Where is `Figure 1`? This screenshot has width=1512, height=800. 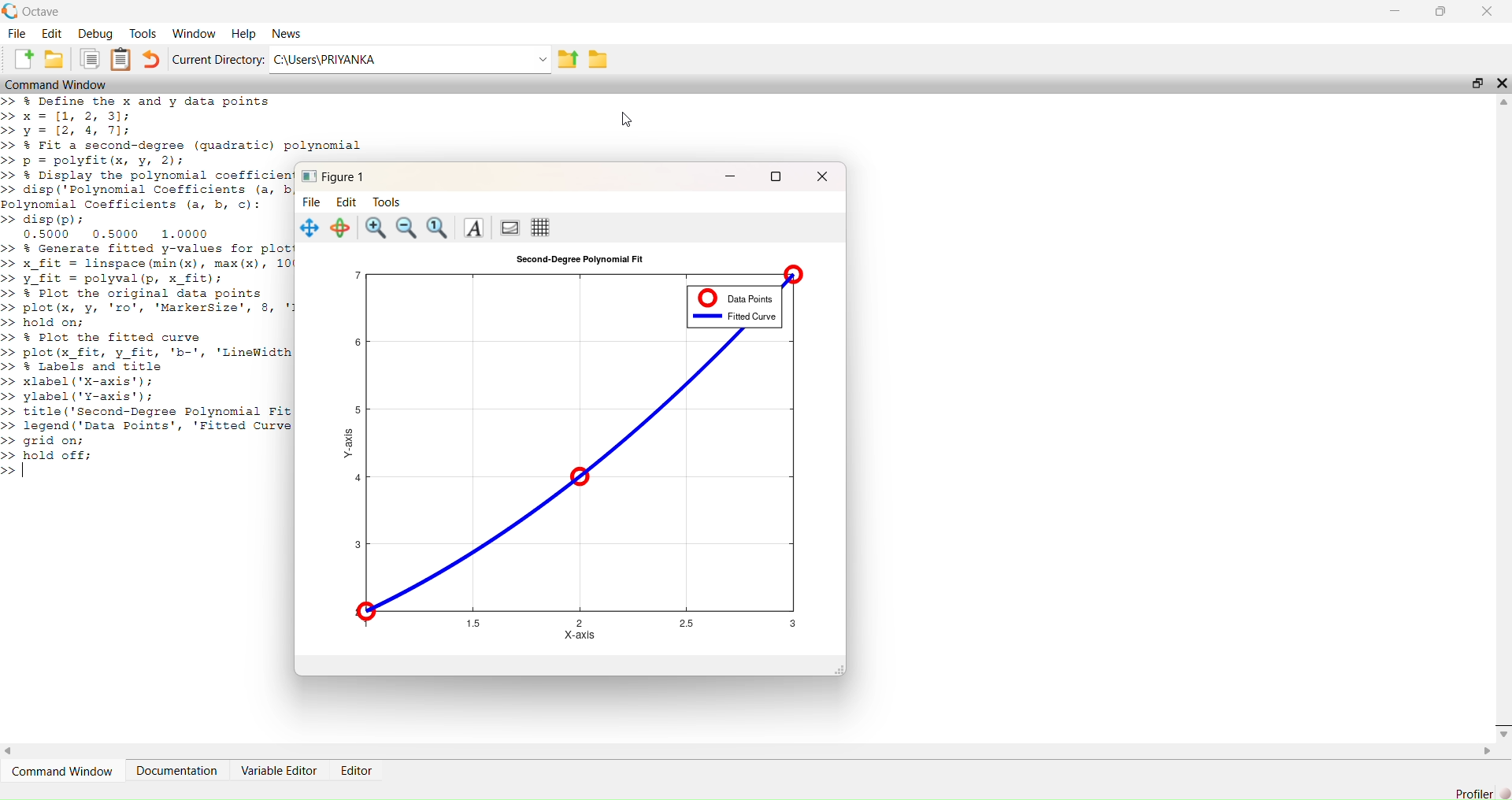
Figure 1 is located at coordinates (332, 176).